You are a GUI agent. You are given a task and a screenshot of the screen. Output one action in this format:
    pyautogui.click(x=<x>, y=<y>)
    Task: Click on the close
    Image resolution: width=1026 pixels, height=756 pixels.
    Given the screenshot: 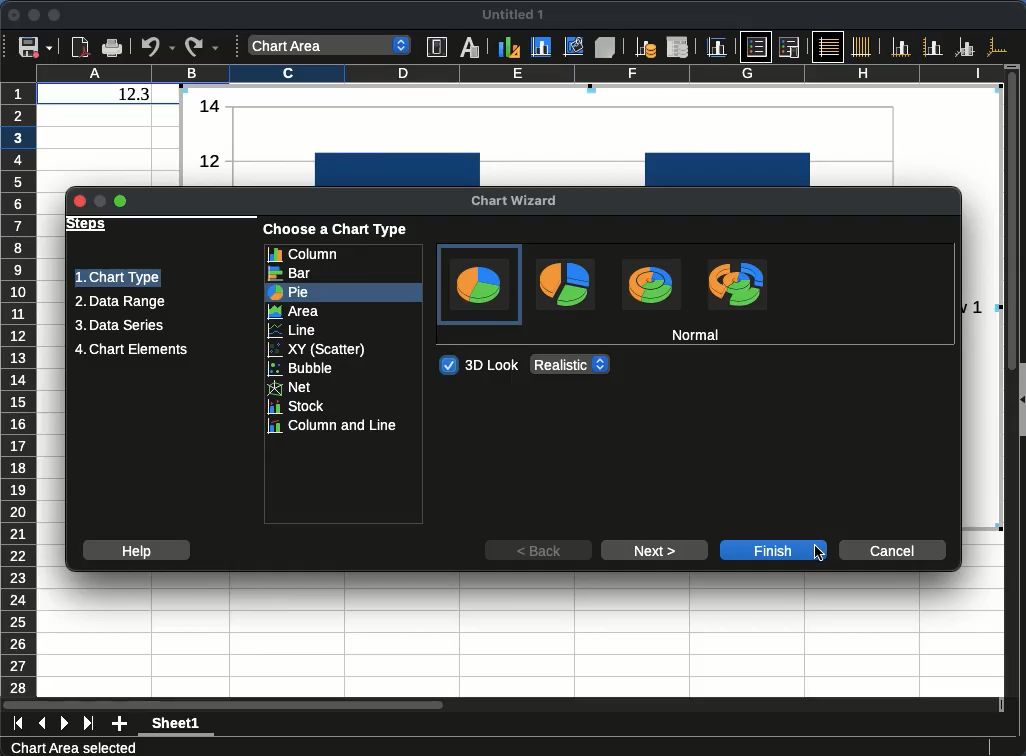 What is the action you would take?
    pyautogui.click(x=13, y=14)
    